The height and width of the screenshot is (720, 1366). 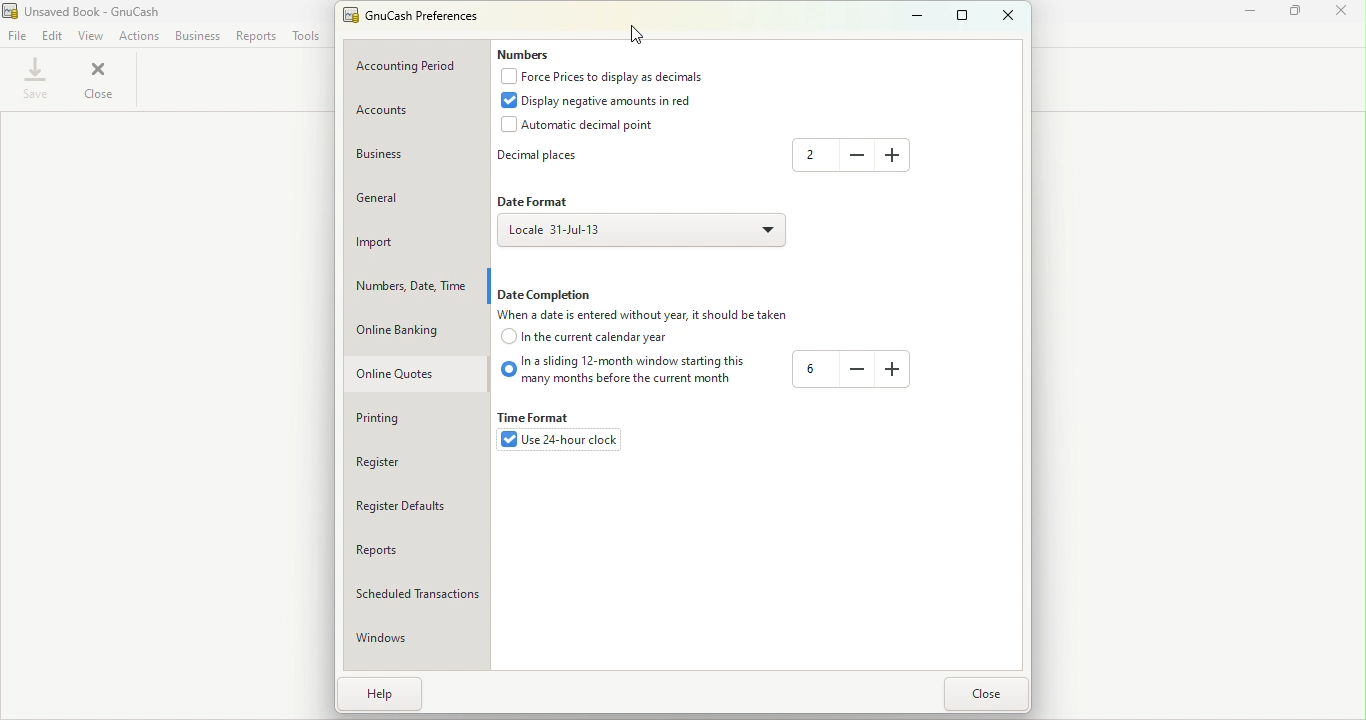 I want to click on View, so click(x=93, y=35).